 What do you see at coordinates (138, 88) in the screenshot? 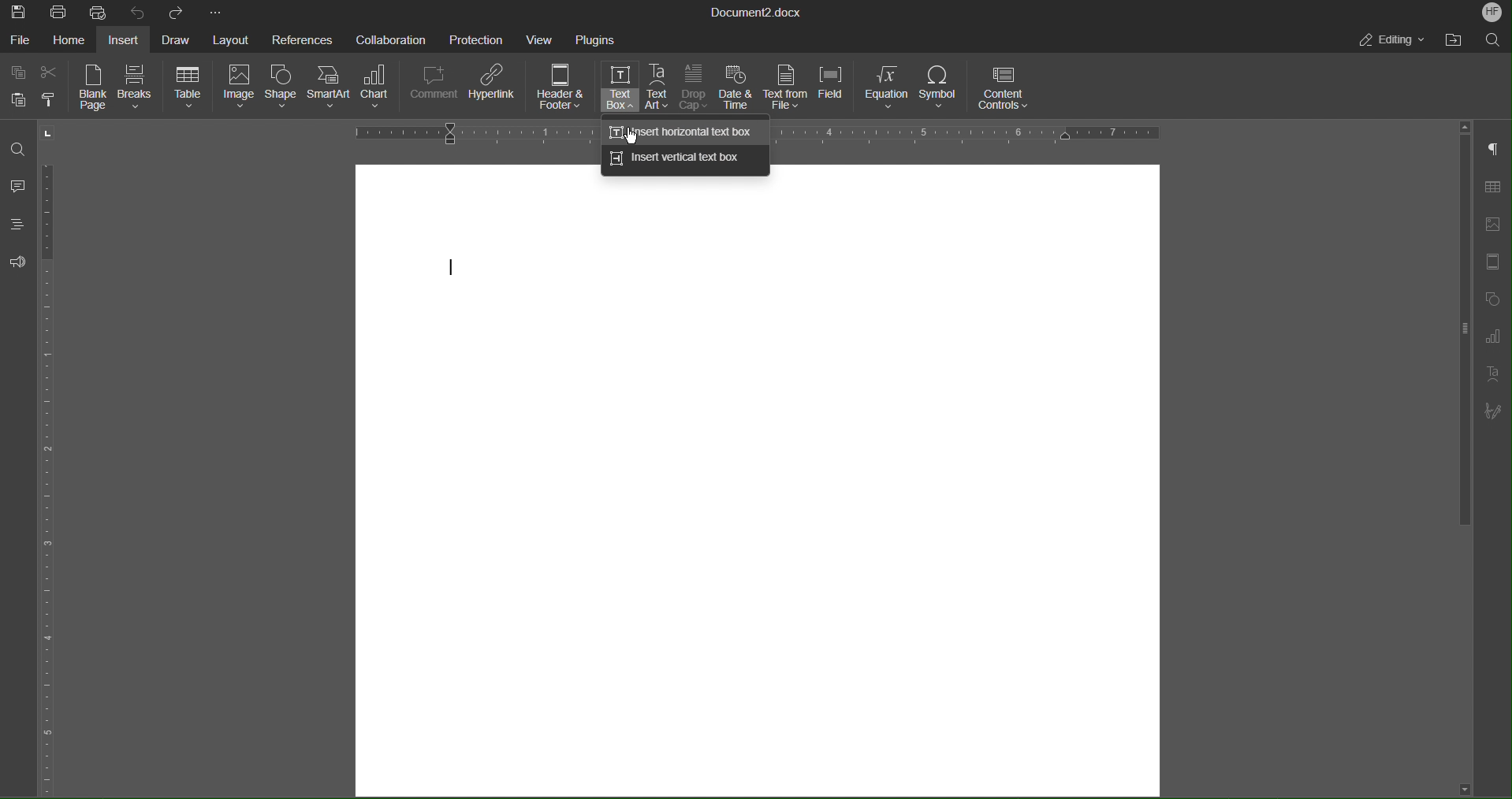
I see `Breaks` at bounding box center [138, 88].